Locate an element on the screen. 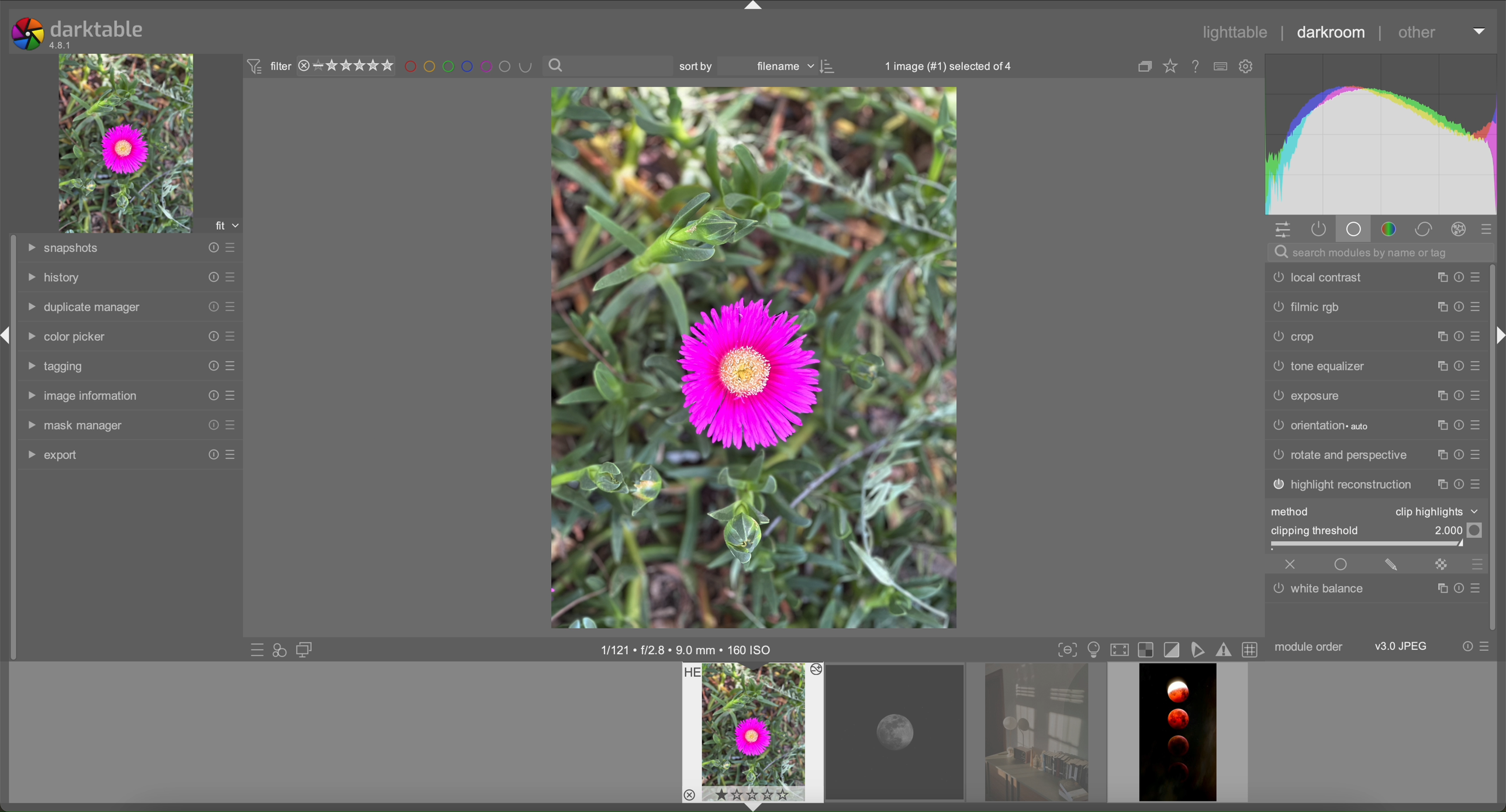 The width and height of the screenshot is (1506, 812). presets is located at coordinates (1477, 397).